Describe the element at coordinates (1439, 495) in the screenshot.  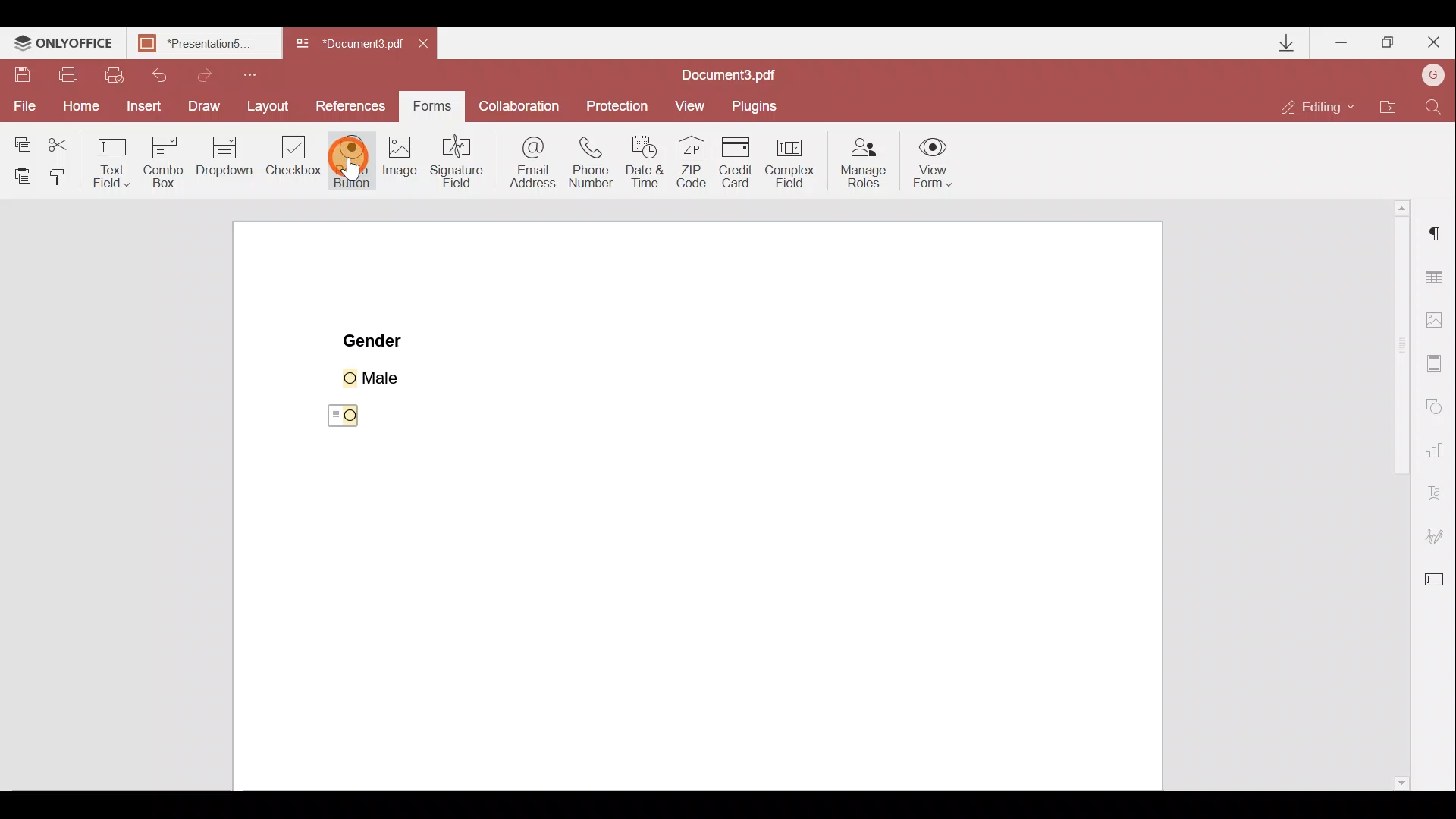
I see `Text Art settings` at that location.